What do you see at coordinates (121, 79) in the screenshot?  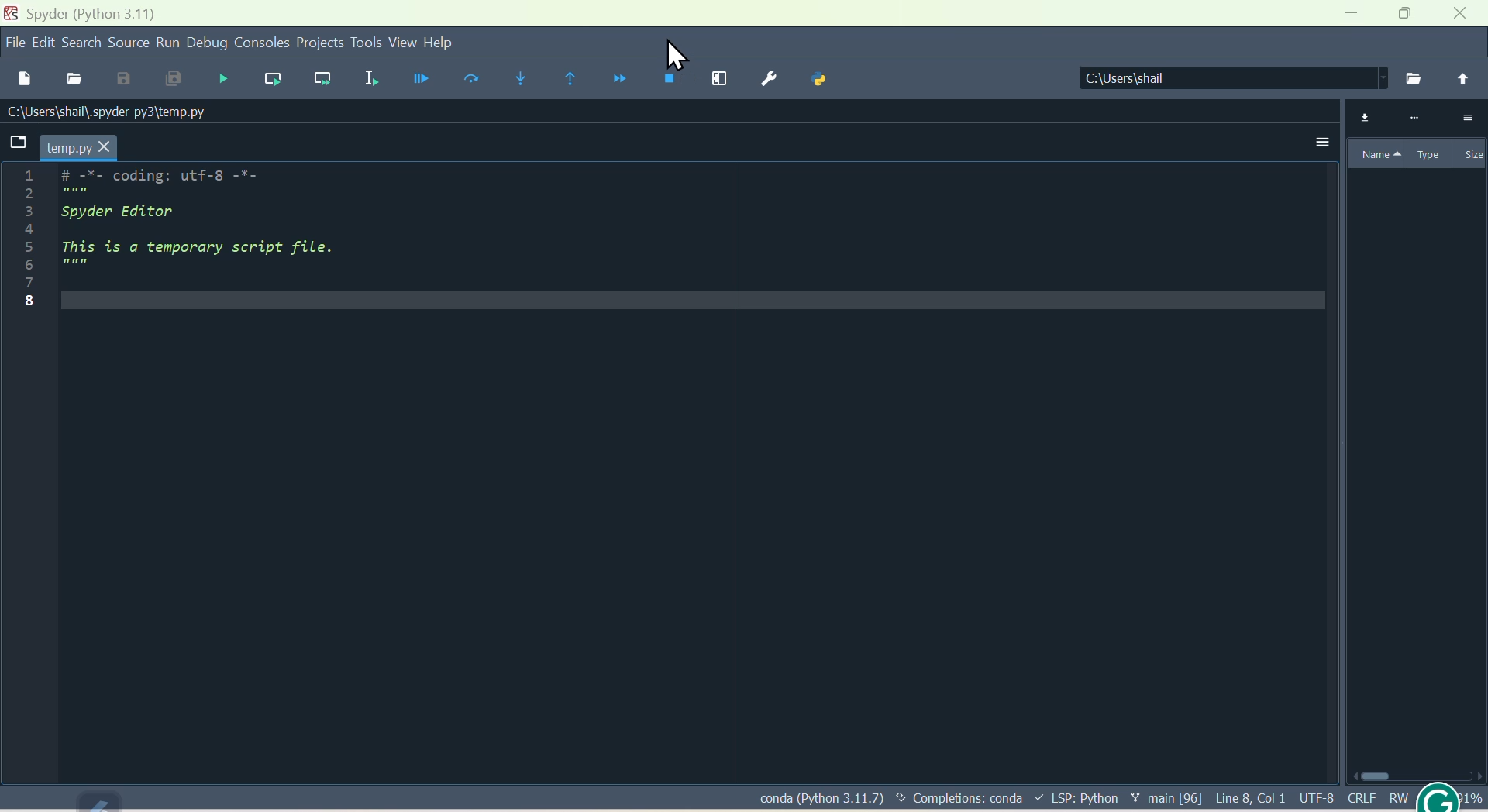 I see `Save as` at bounding box center [121, 79].